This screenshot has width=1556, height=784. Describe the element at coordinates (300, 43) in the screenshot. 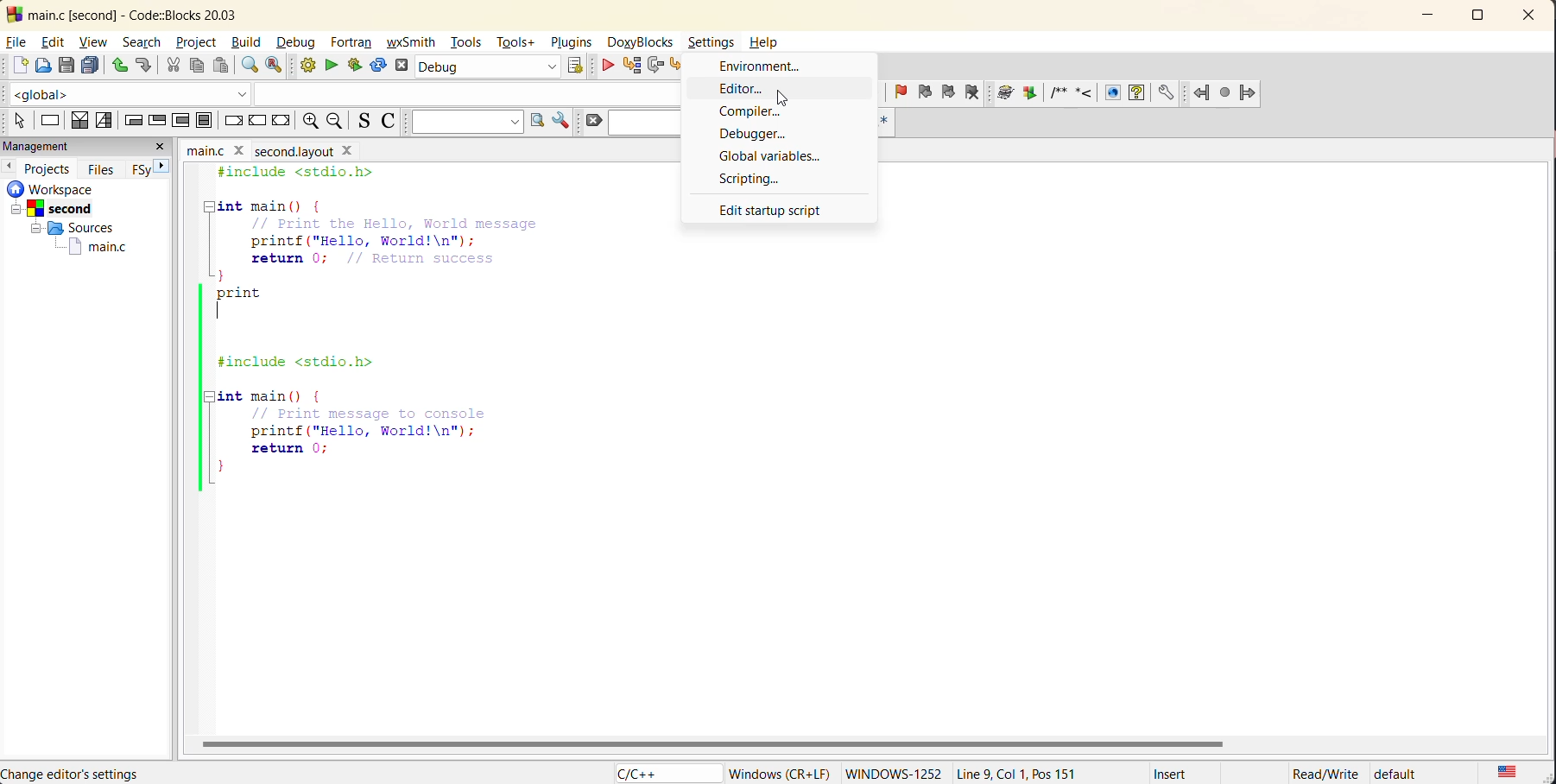

I see `debug` at that location.